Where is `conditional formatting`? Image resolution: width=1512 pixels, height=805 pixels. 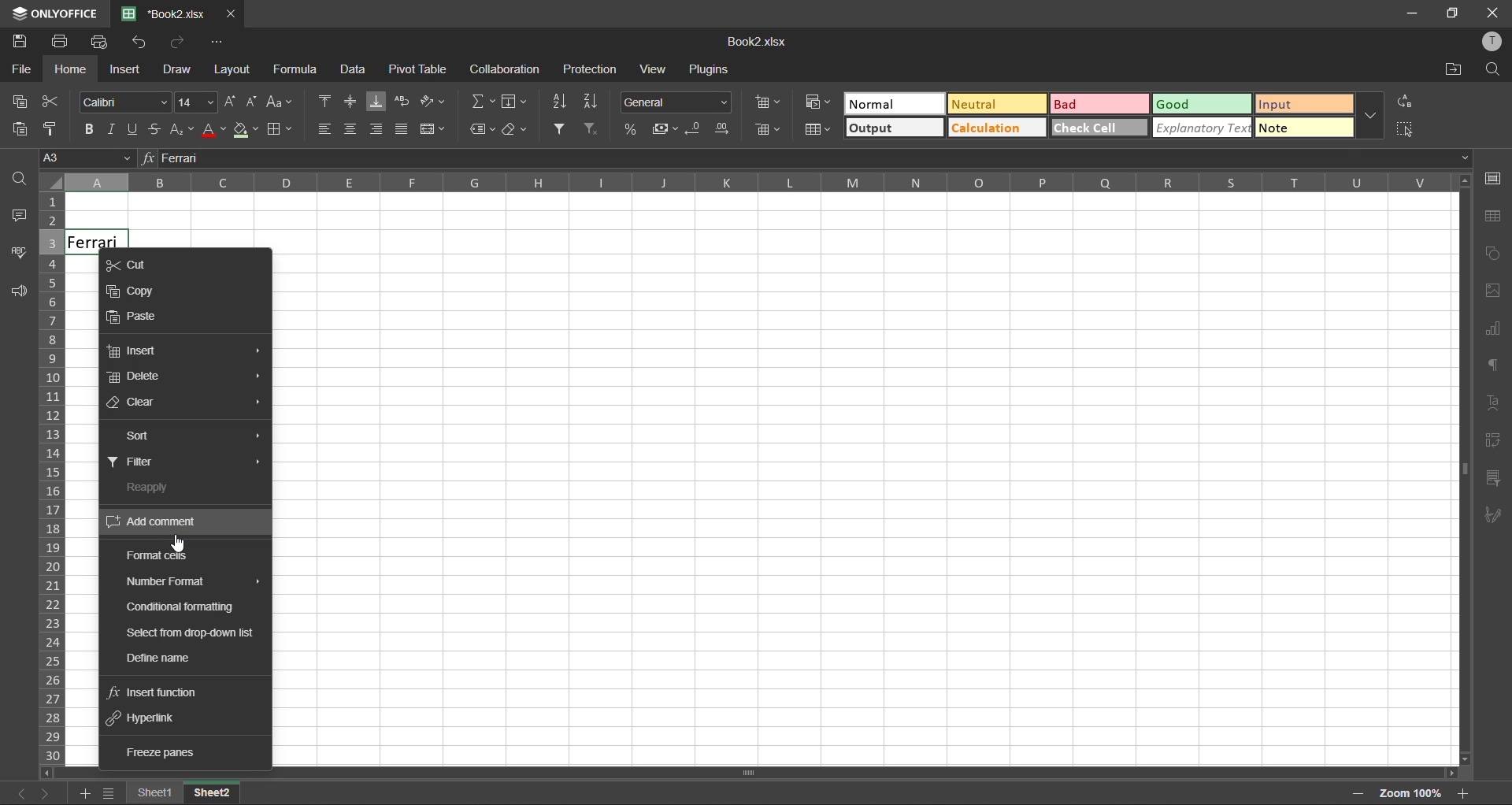
conditional formatting is located at coordinates (185, 606).